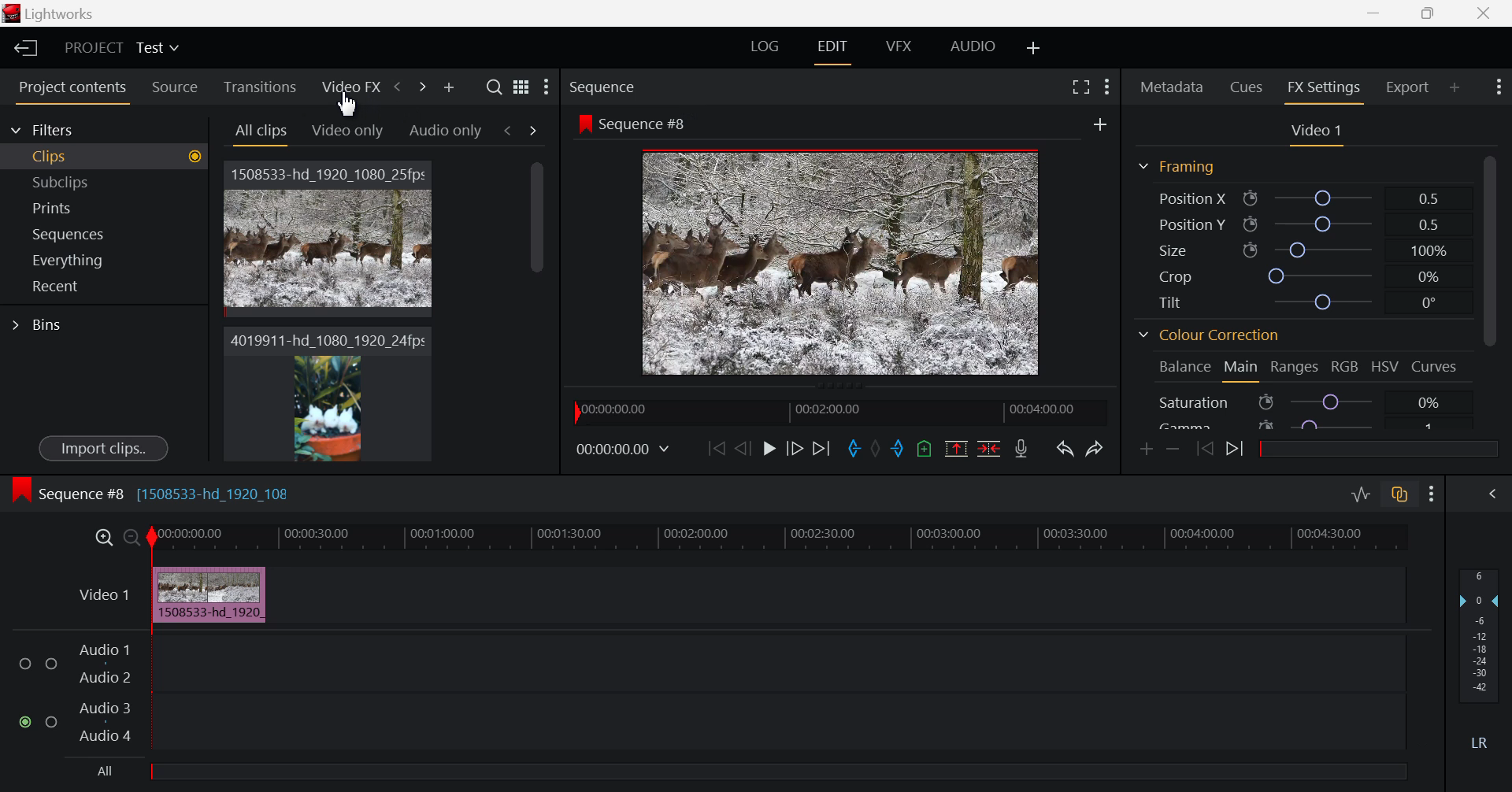 The height and width of the screenshot is (792, 1512). I want to click on Crop, so click(1305, 276).